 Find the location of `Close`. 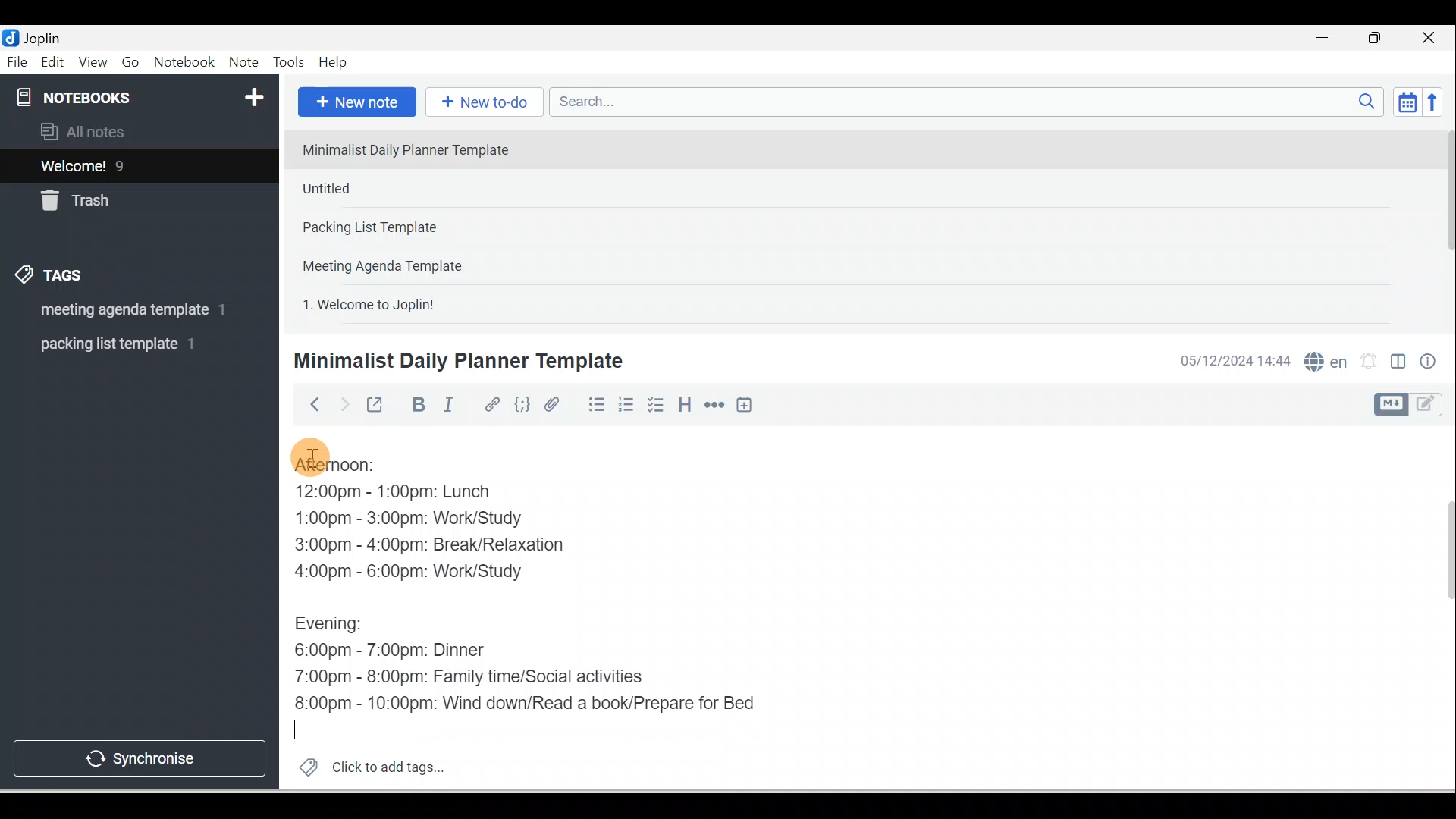

Close is located at coordinates (1432, 38).